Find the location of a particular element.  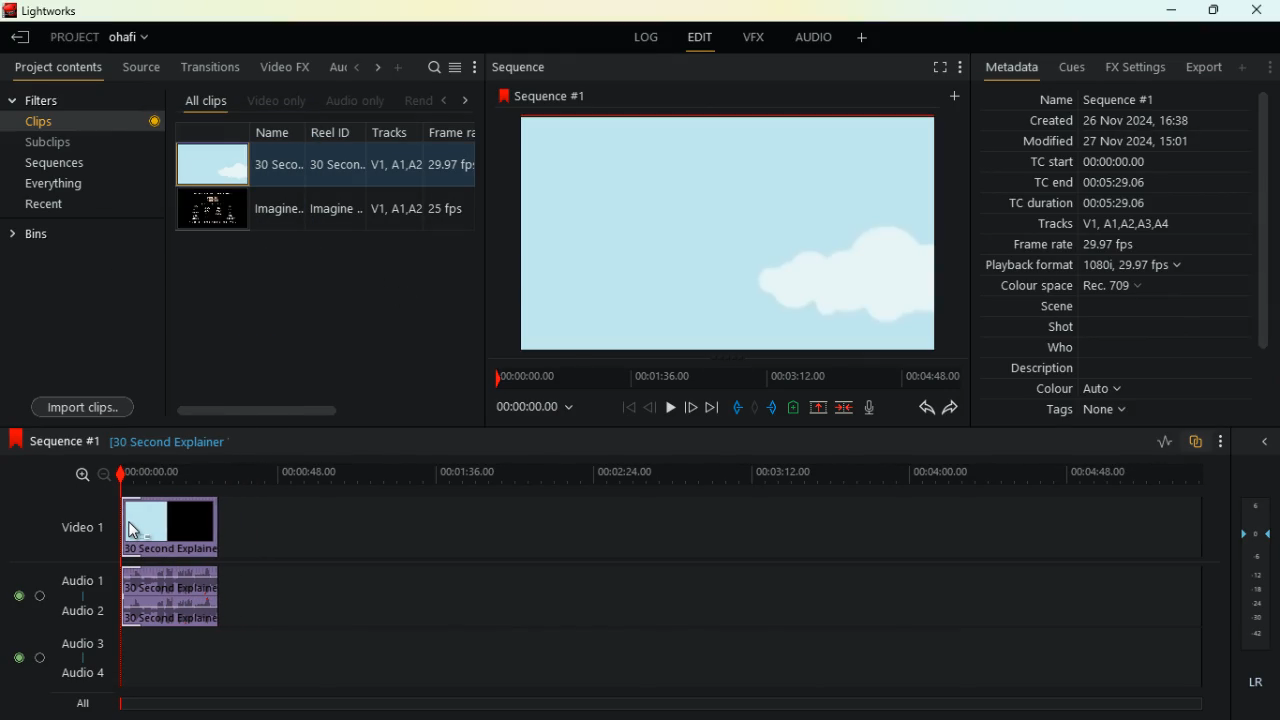

cues is located at coordinates (1069, 69).